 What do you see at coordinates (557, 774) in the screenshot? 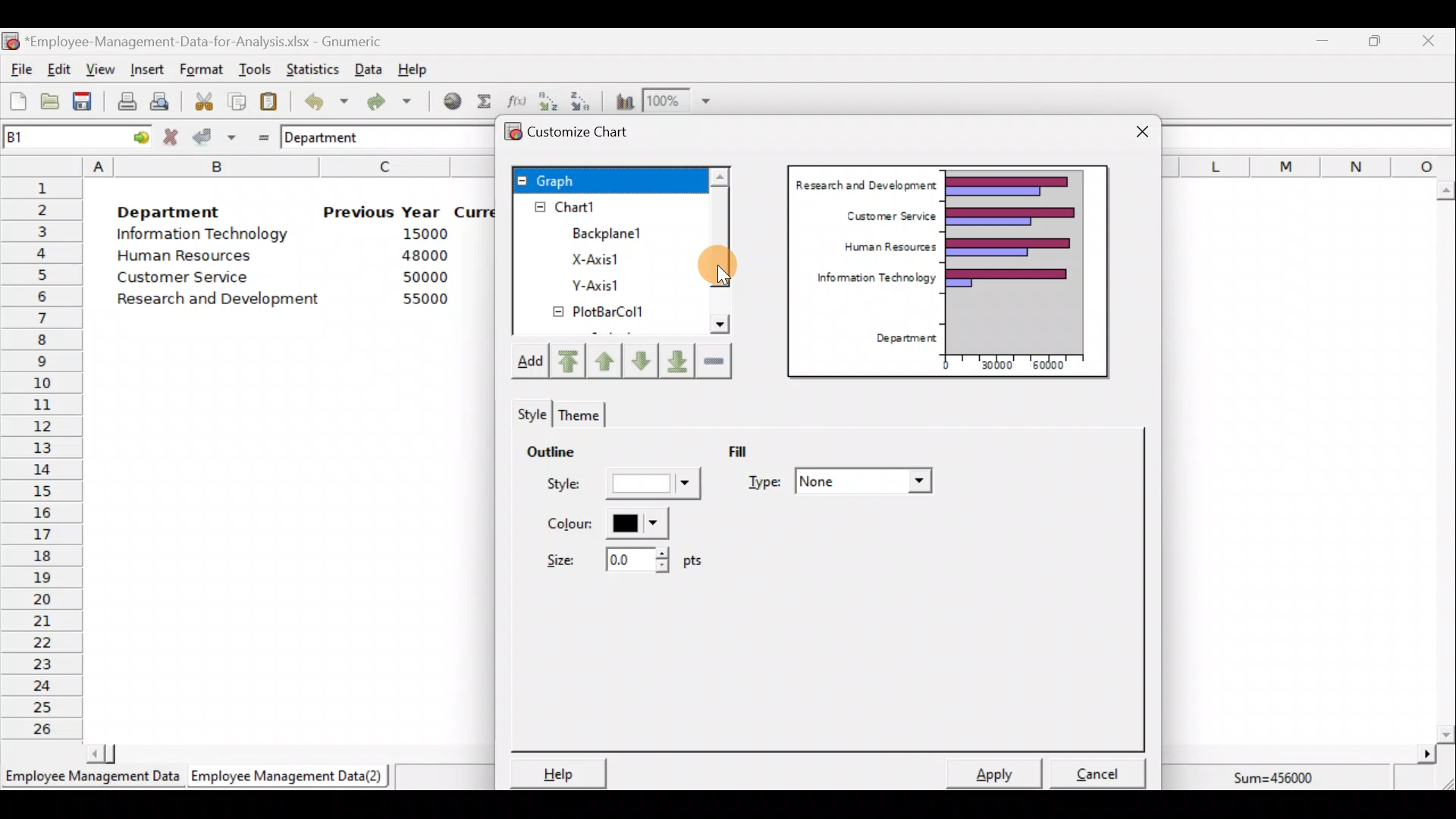
I see `Help` at bounding box center [557, 774].